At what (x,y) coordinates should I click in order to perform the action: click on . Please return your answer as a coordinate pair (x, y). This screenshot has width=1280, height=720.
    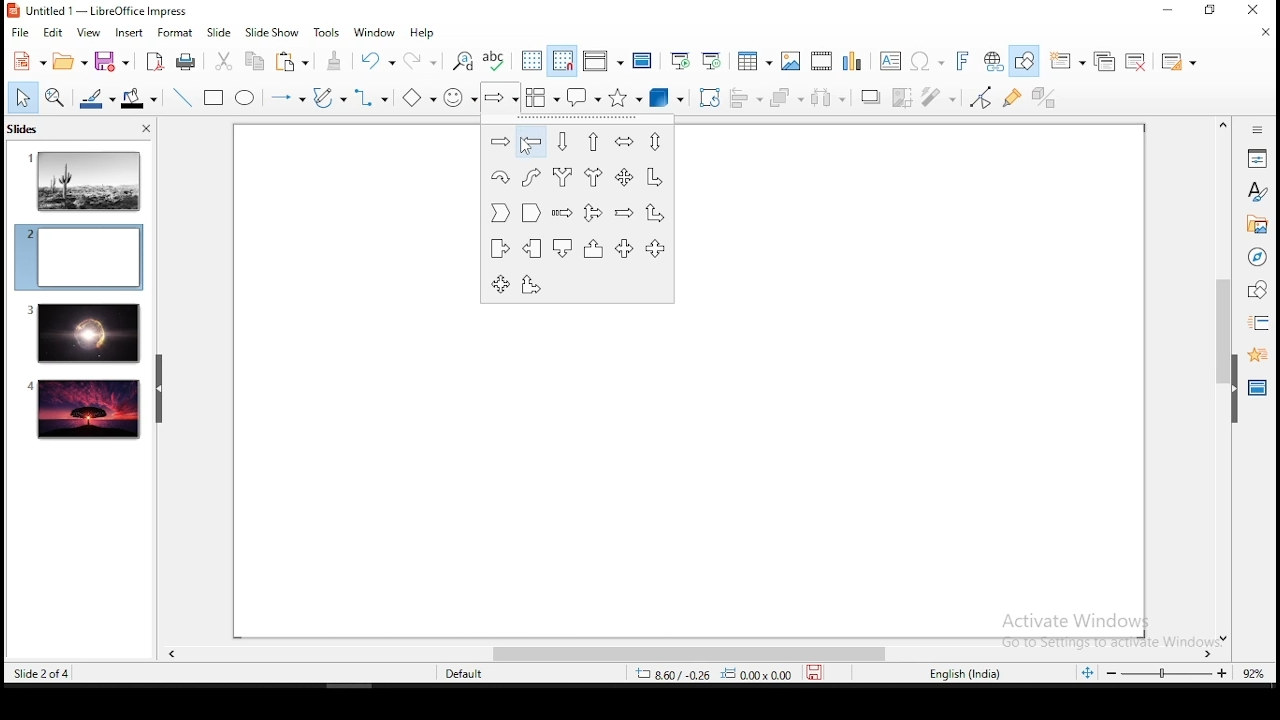
    Looking at the image, I should click on (1255, 129).